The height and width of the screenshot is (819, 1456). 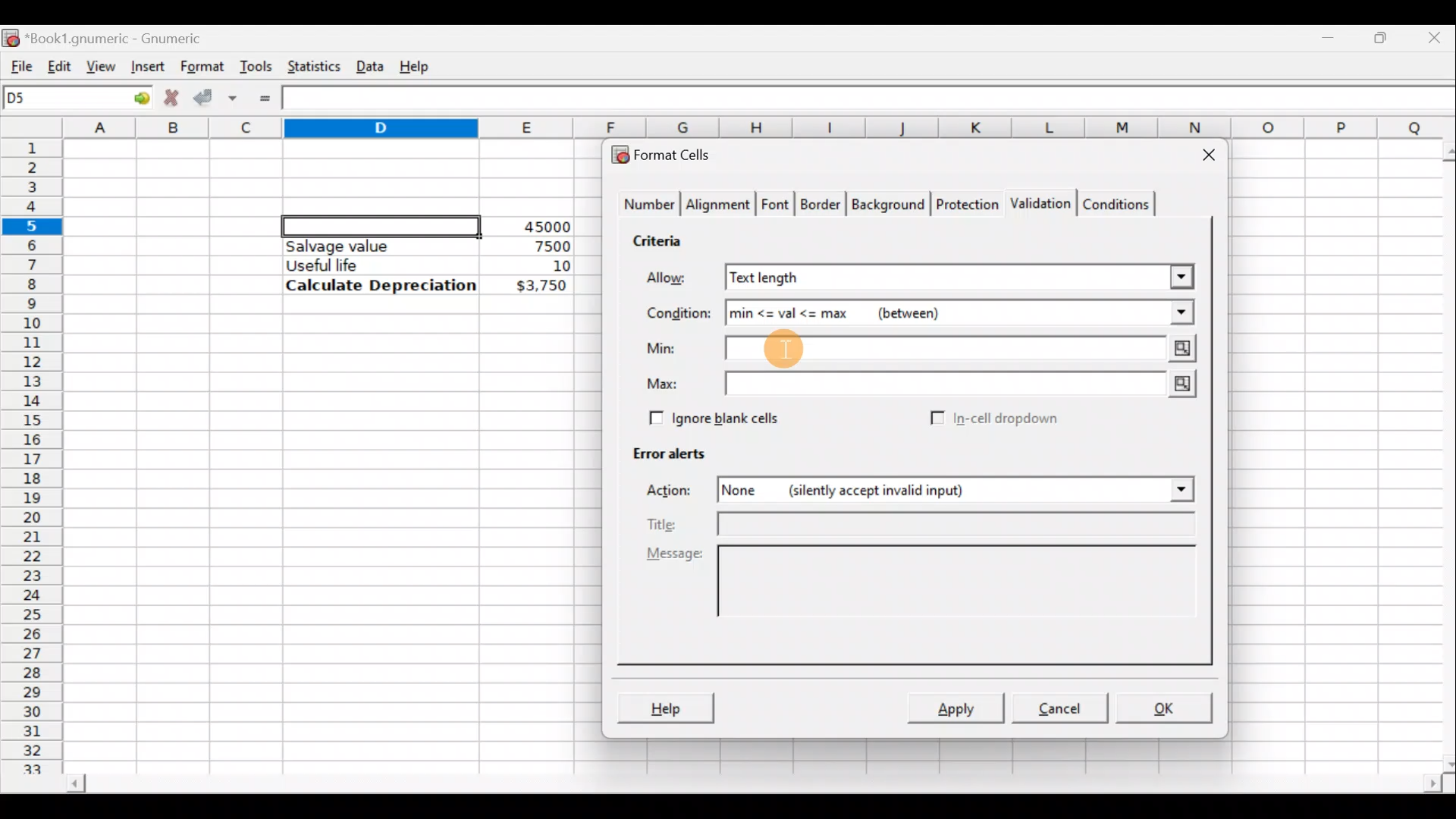 I want to click on 10, so click(x=543, y=266).